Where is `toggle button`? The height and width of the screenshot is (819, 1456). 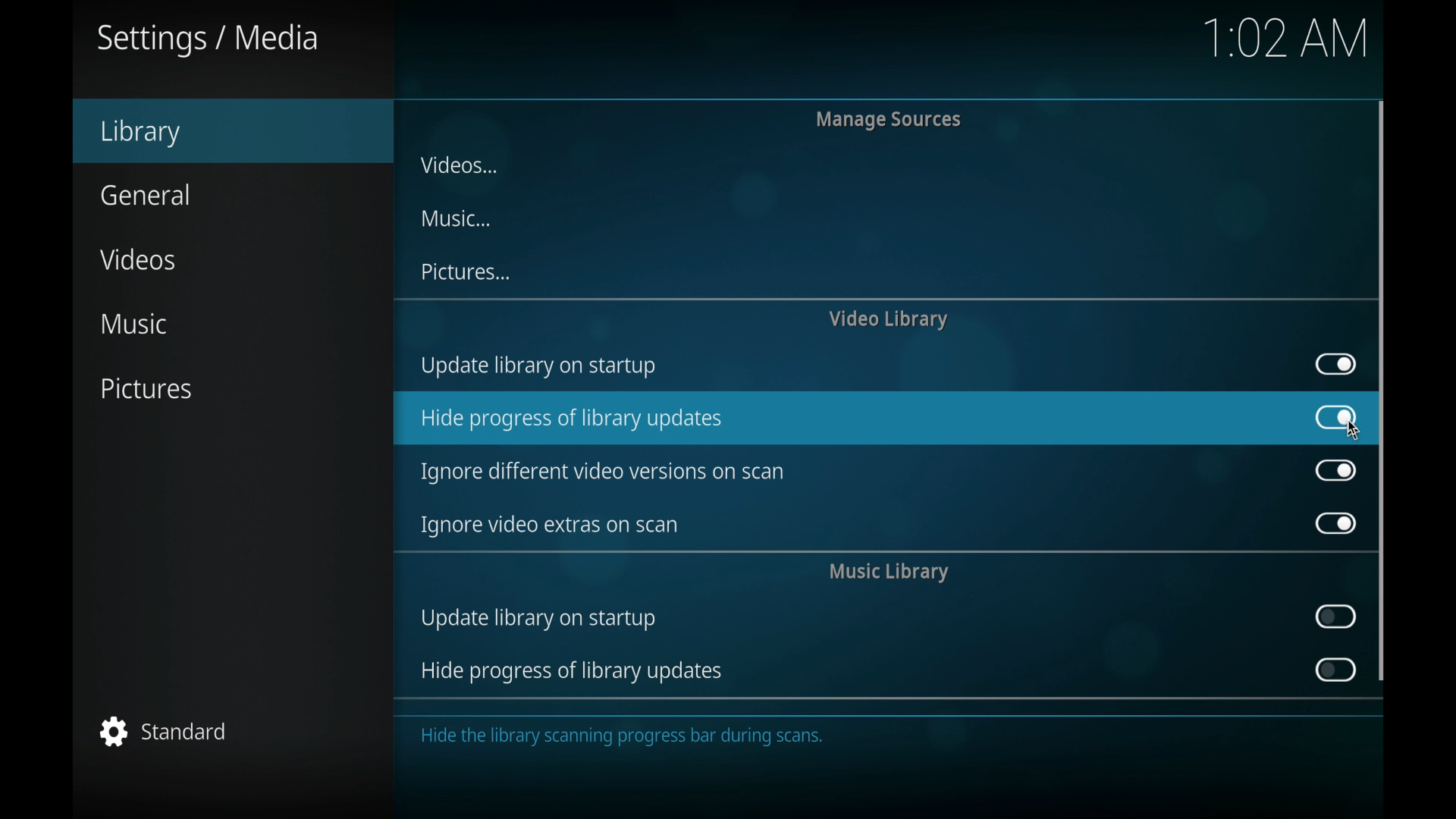
toggle button is located at coordinates (1336, 416).